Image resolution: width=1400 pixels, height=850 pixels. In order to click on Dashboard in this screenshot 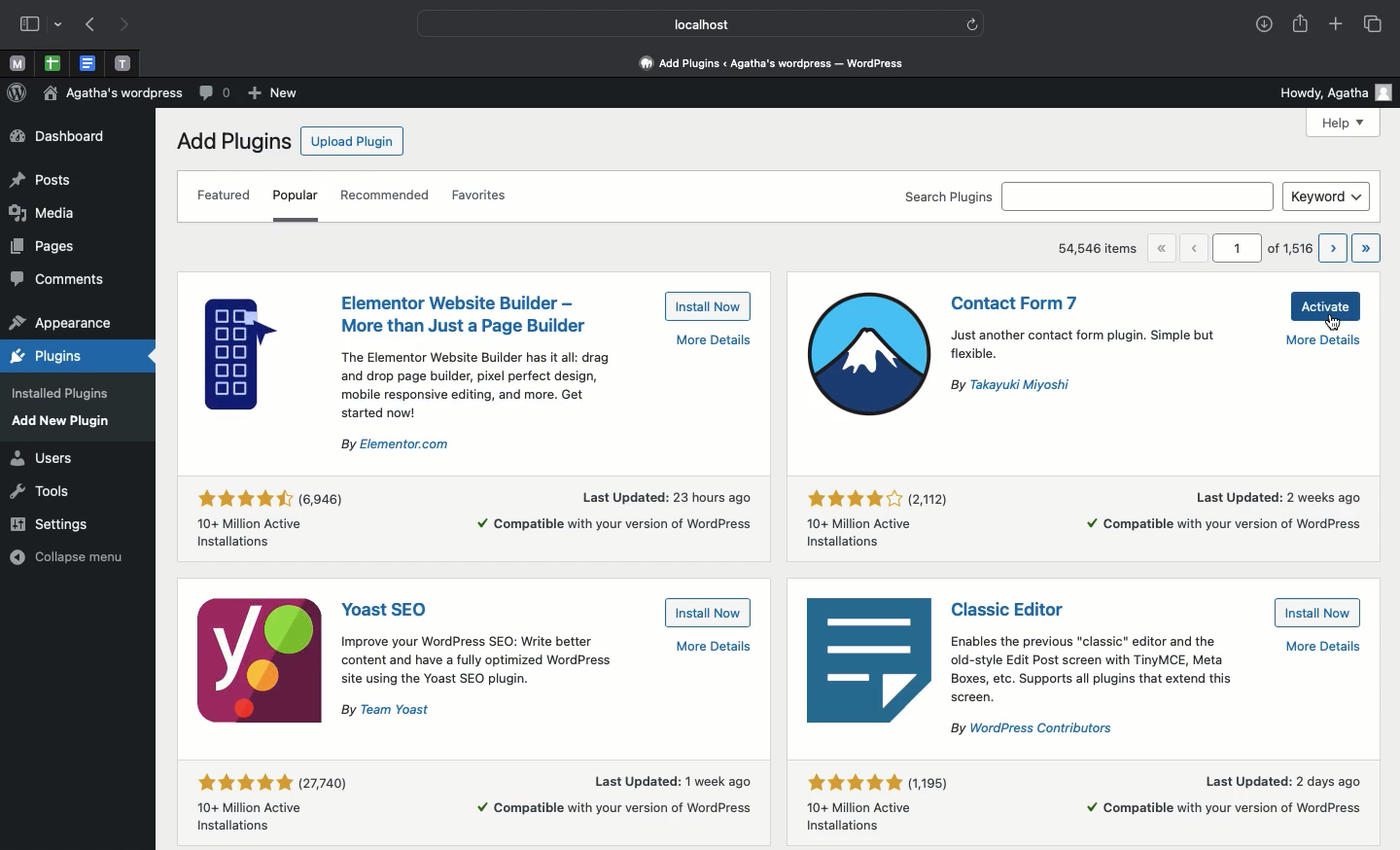, I will do `click(767, 65)`.